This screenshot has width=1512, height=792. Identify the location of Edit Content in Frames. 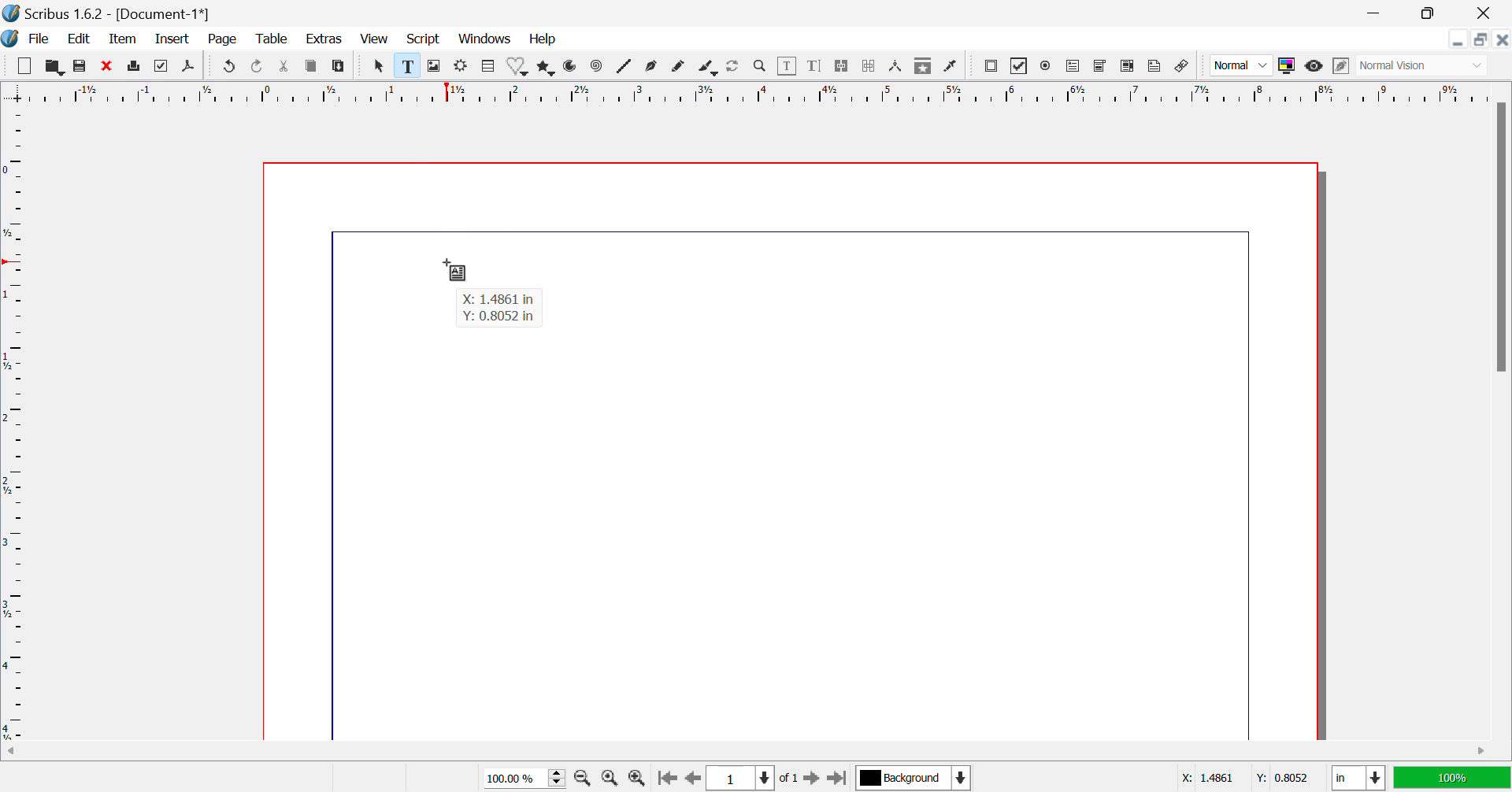
(790, 66).